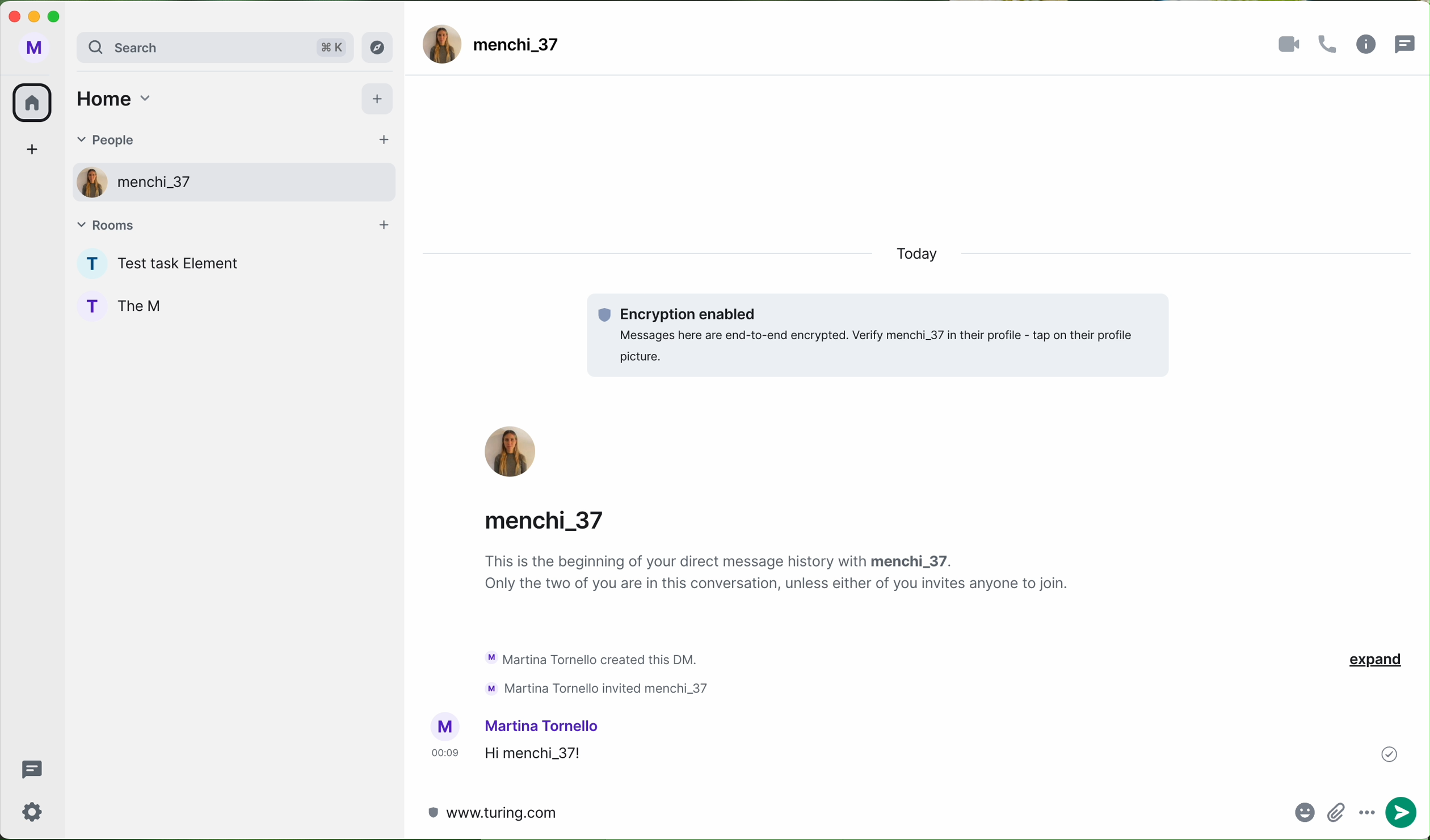 This screenshot has width=1430, height=840. What do you see at coordinates (33, 811) in the screenshot?
I see `settings` at bounding box center [33, 811].